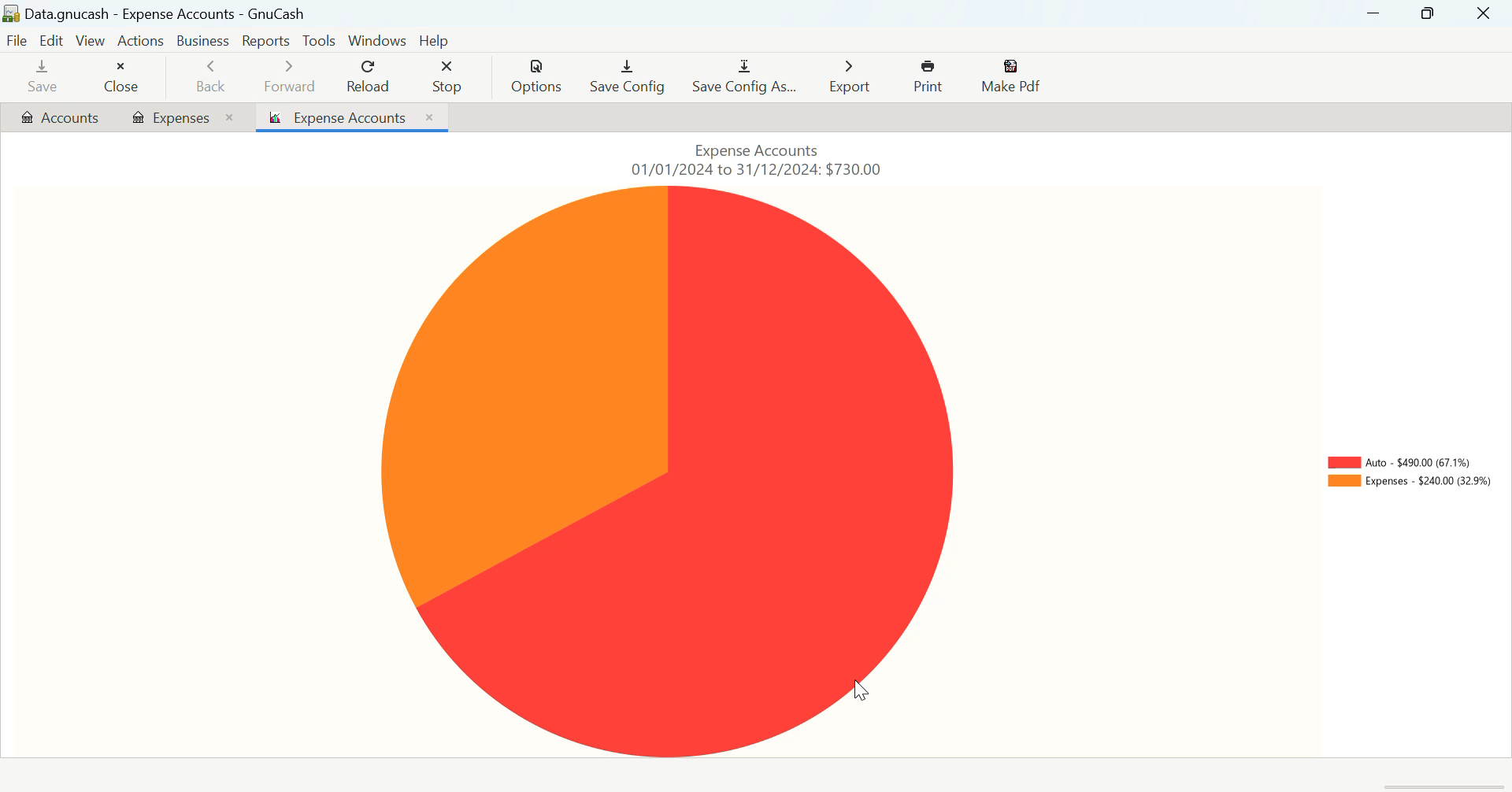 This screenshot has height=792, width=1512. Describe the element at coordinates (265, 40) in the screenshot. I see `Reports` at that location.